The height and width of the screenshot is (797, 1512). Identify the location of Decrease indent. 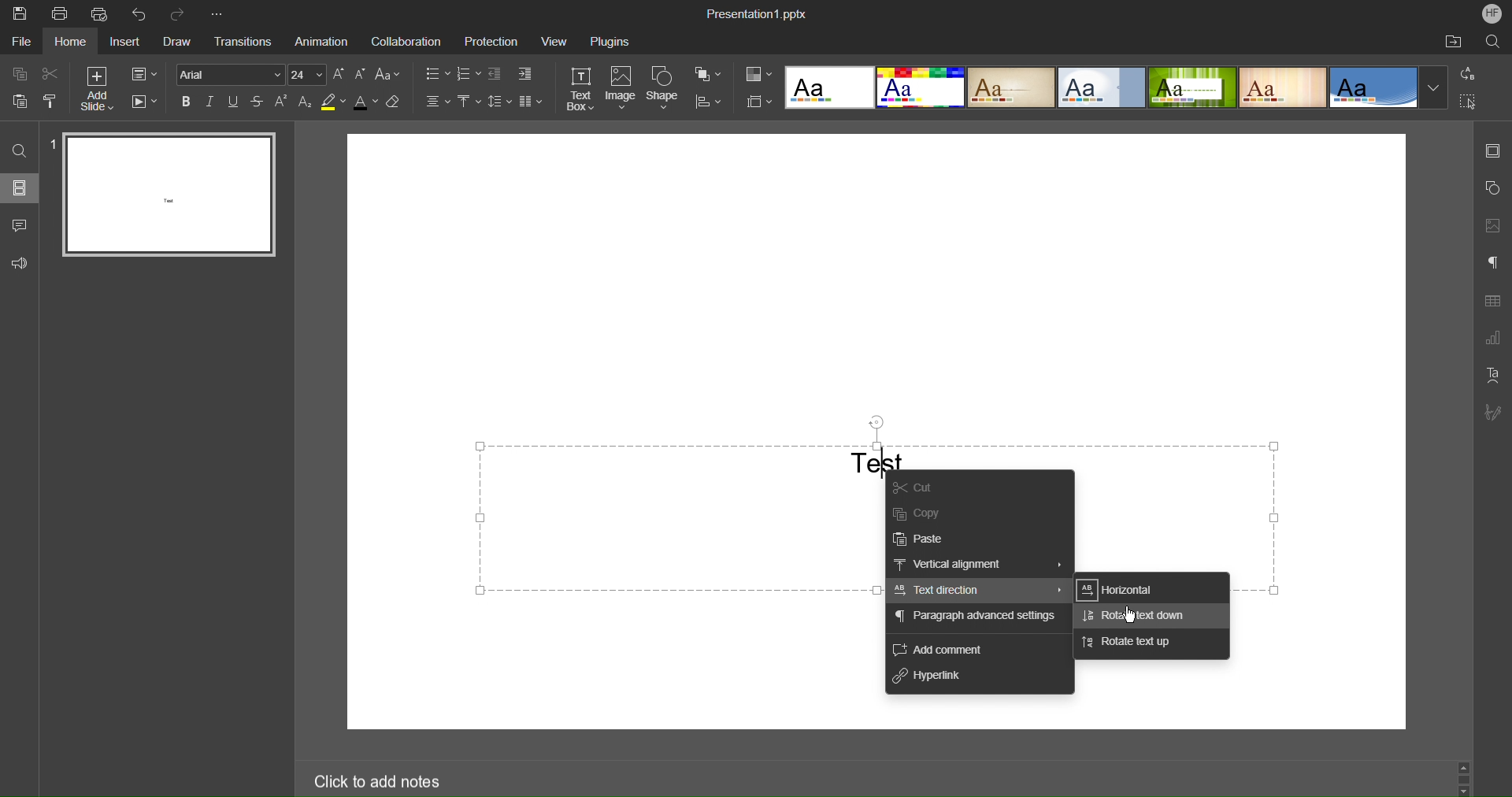
(495, 74).